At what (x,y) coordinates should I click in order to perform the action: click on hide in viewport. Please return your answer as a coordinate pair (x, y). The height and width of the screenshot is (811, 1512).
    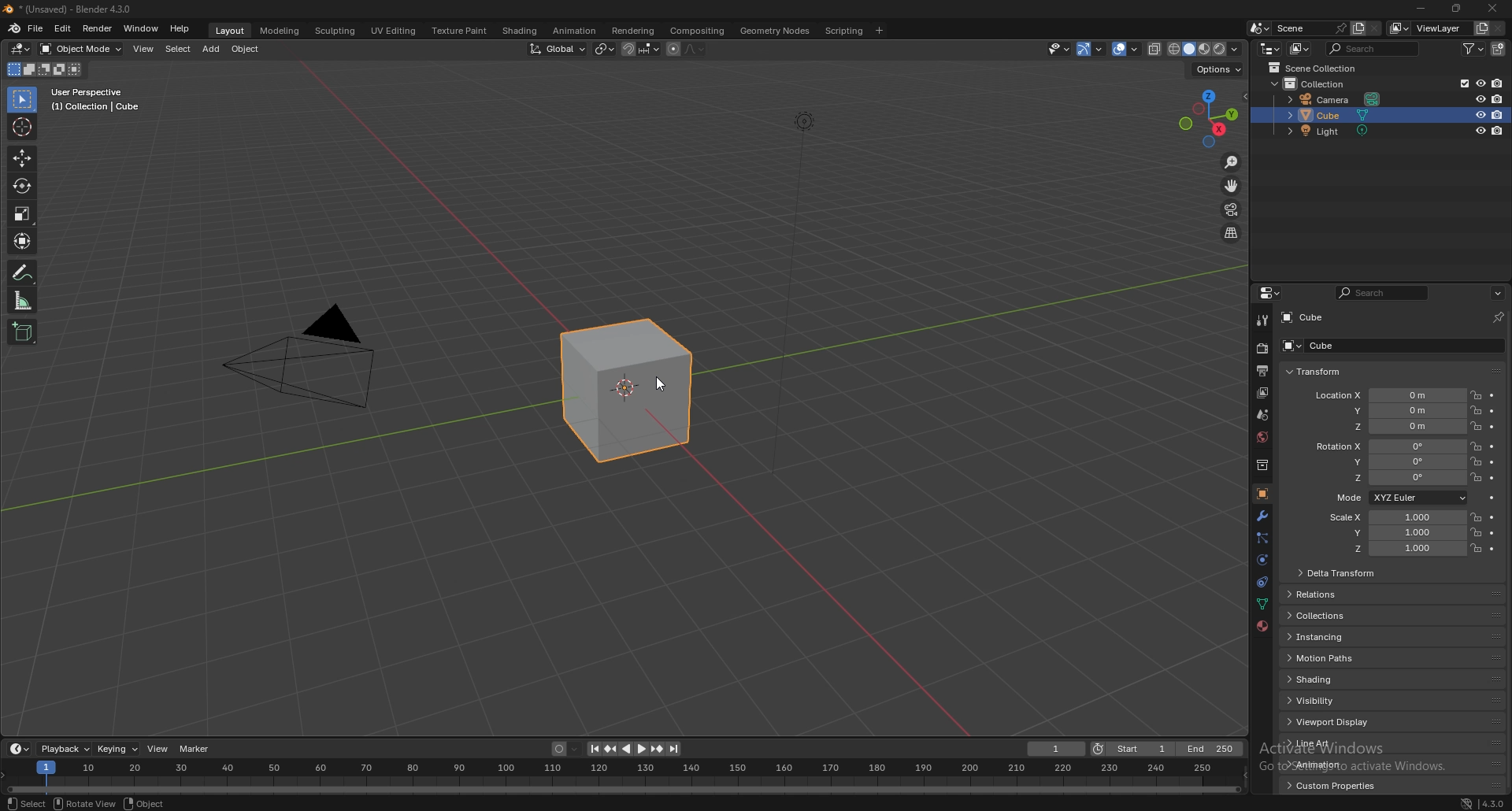
    Looking at the image, I should click on (1480, 131).